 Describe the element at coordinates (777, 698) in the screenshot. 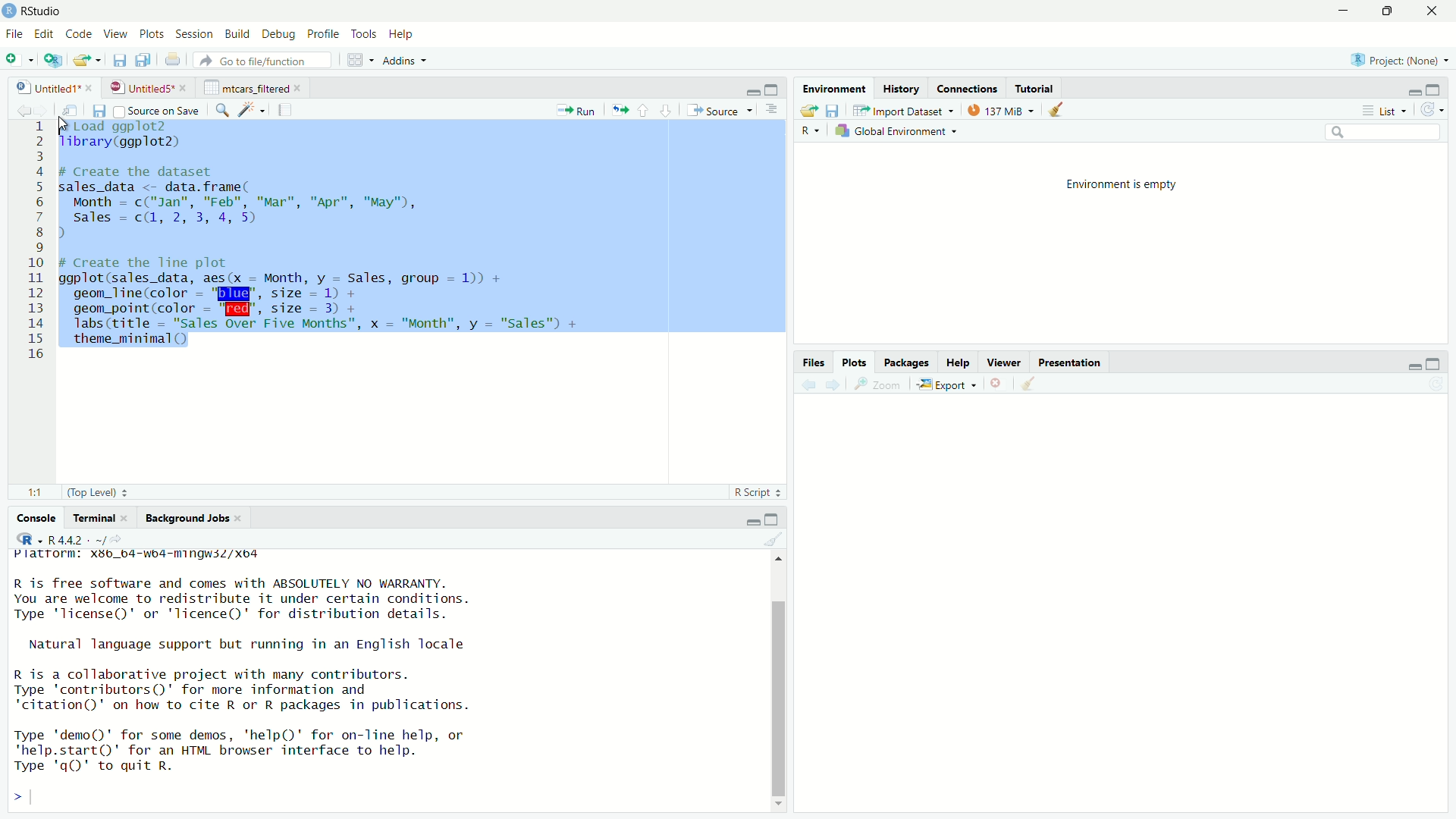

I see `scroll bar` at that location.